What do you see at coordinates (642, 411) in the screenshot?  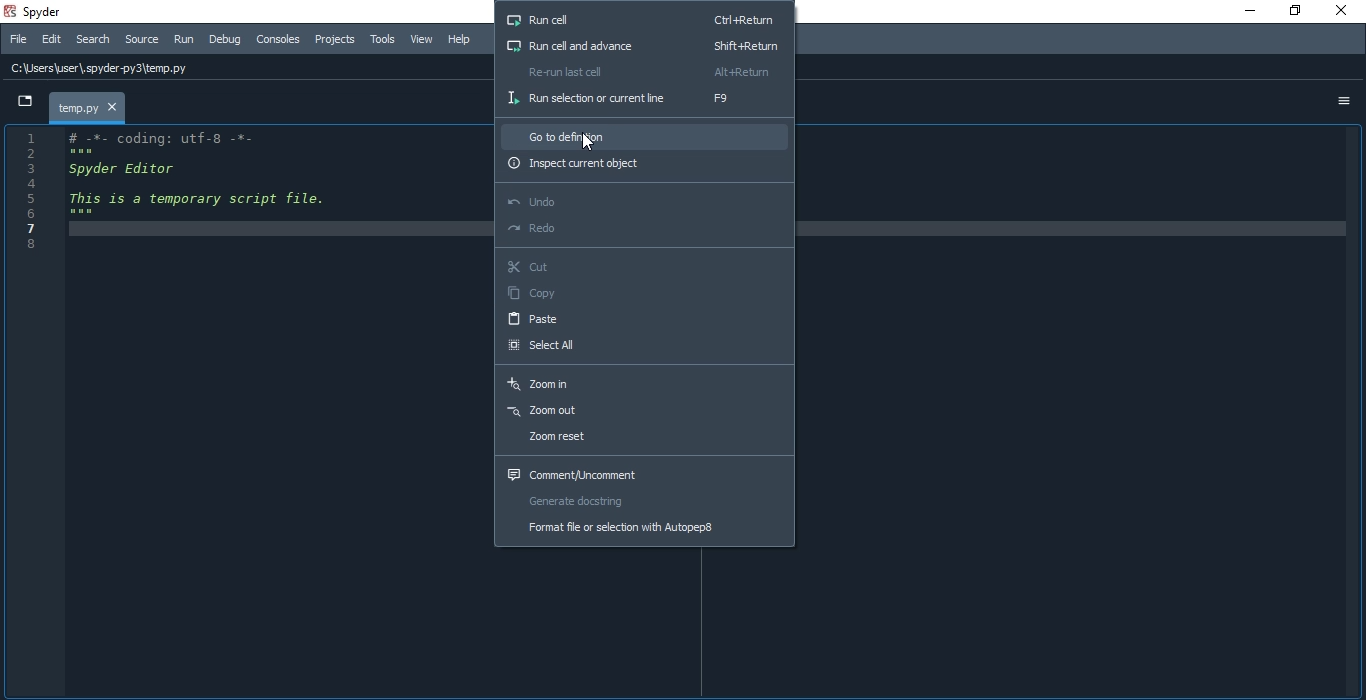 I see `Zoom out` at bounding box center [642, 411].